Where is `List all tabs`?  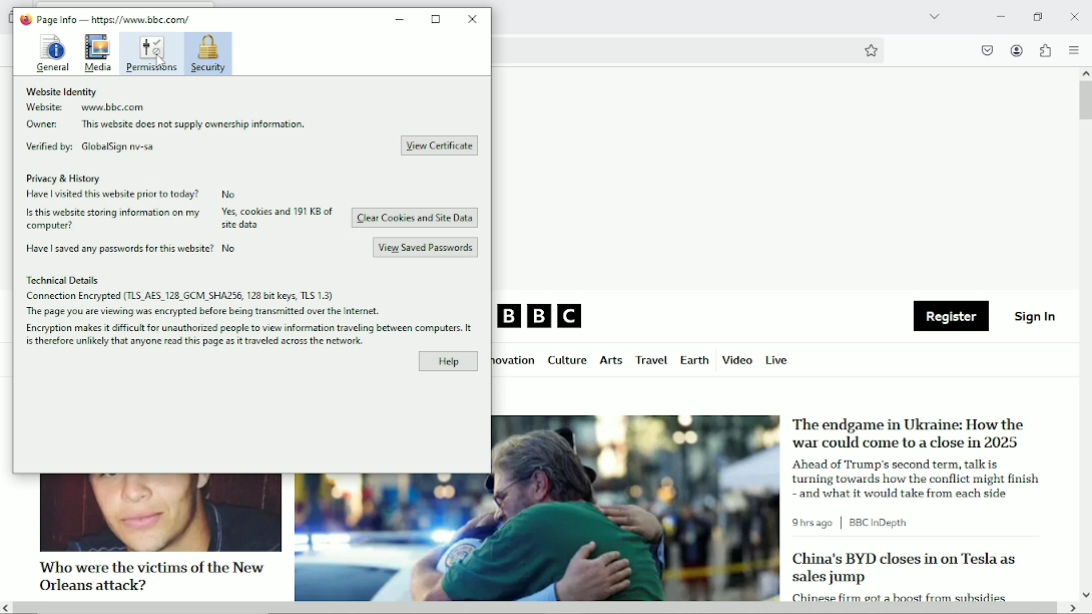
List all tabs is located at coordinates (932, 16).